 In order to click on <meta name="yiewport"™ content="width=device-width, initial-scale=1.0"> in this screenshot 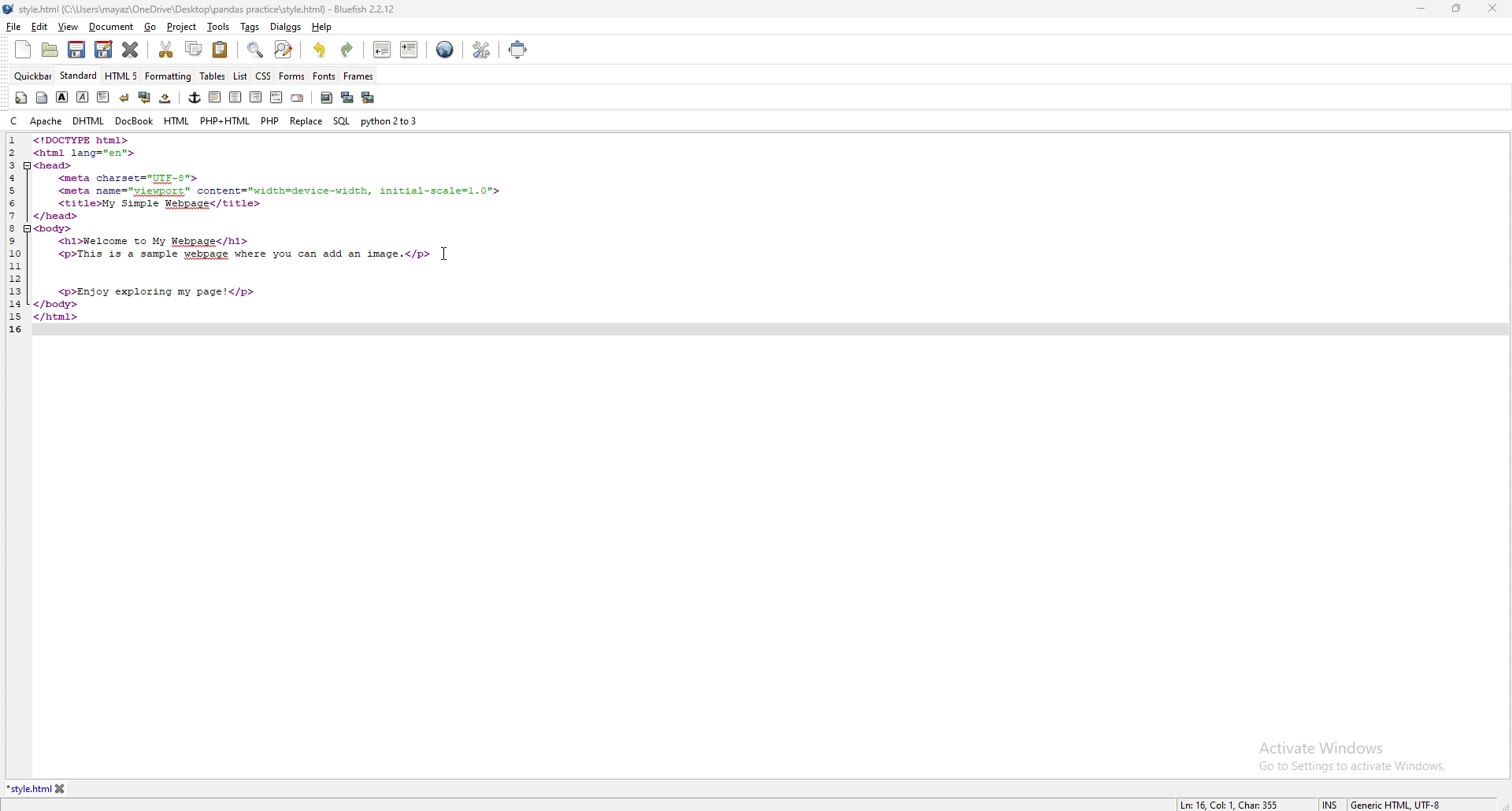, I will do `click(279, 191)`.